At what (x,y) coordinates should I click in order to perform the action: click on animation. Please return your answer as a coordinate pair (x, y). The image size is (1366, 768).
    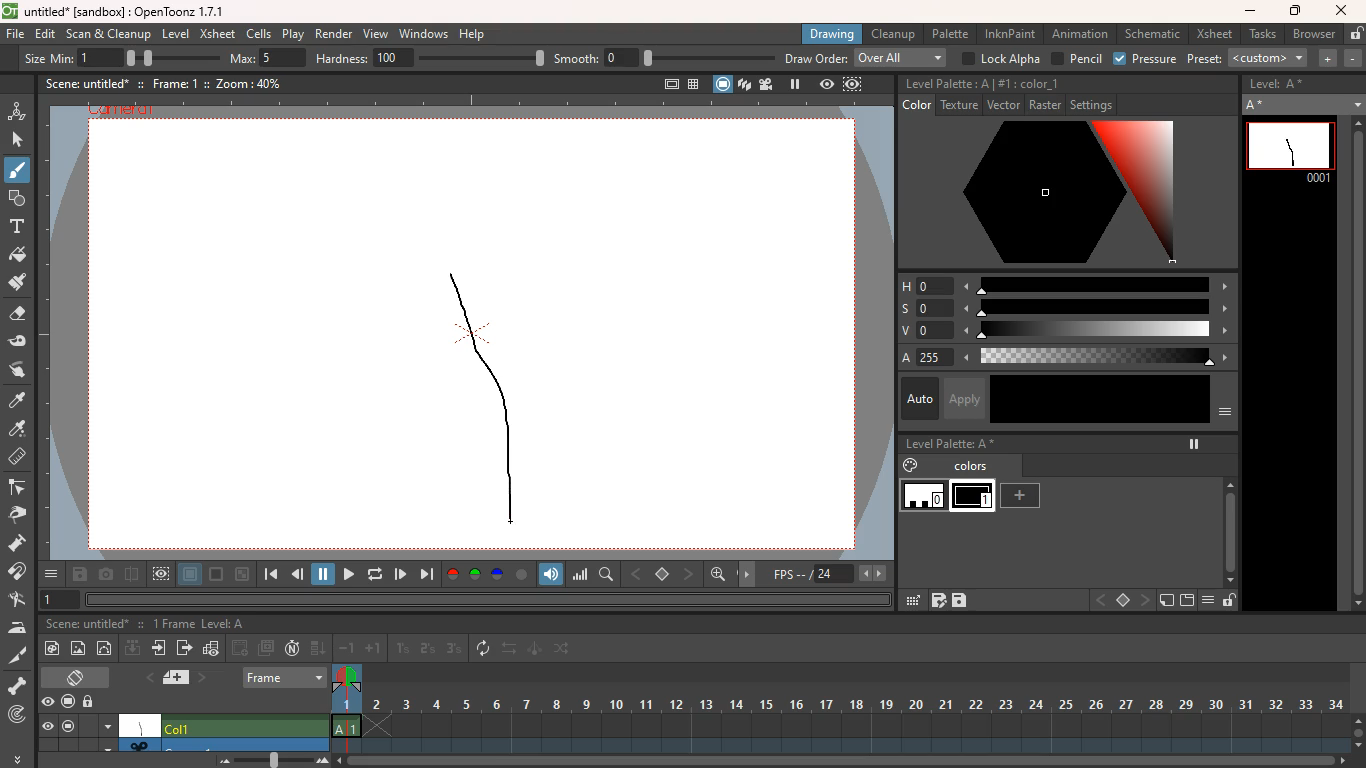
    Looking at the image, I should click on (18, 109).